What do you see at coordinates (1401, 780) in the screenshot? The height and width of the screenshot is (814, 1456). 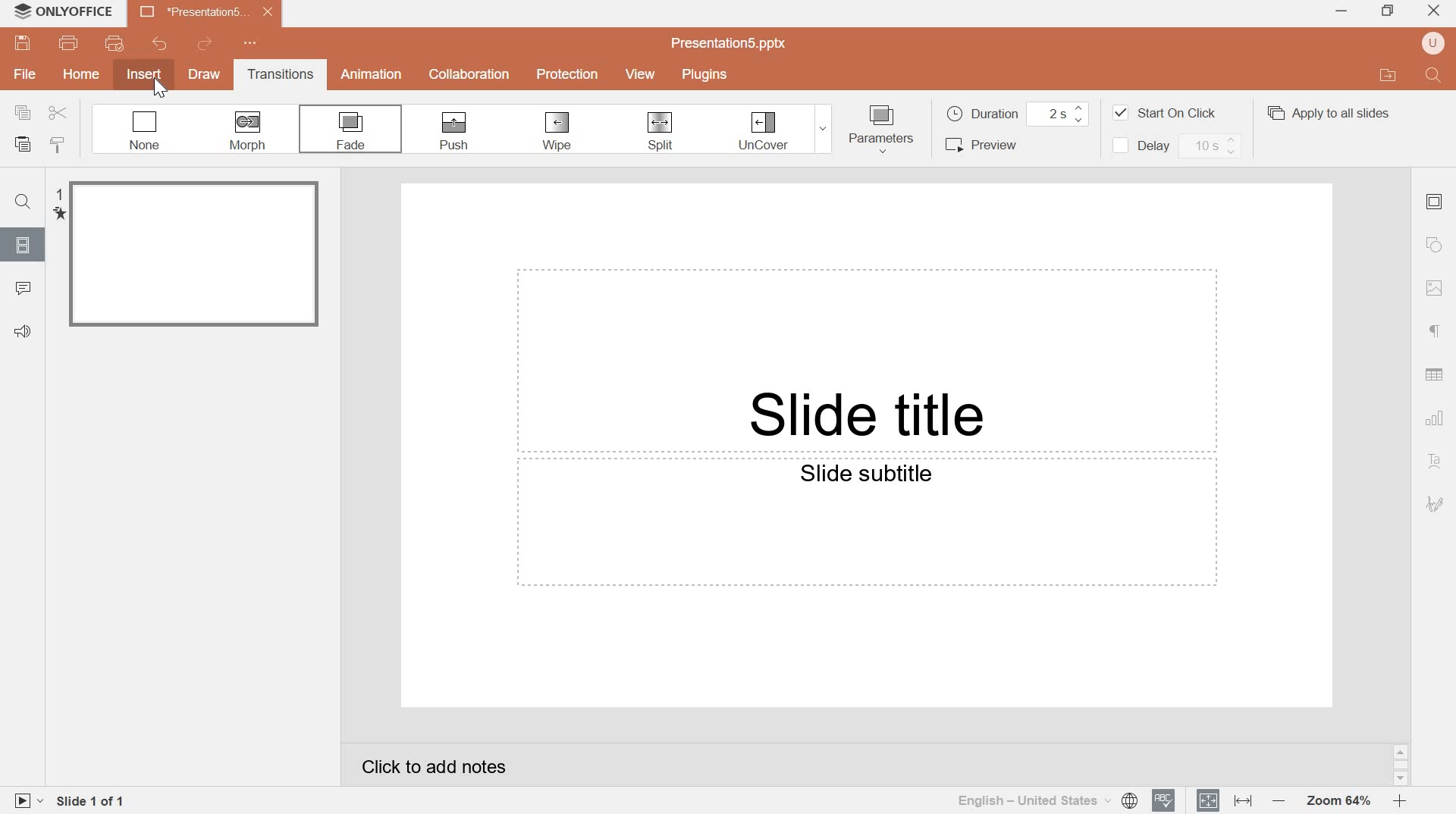 I see `scroll down` at bounding box center [1401, 780].